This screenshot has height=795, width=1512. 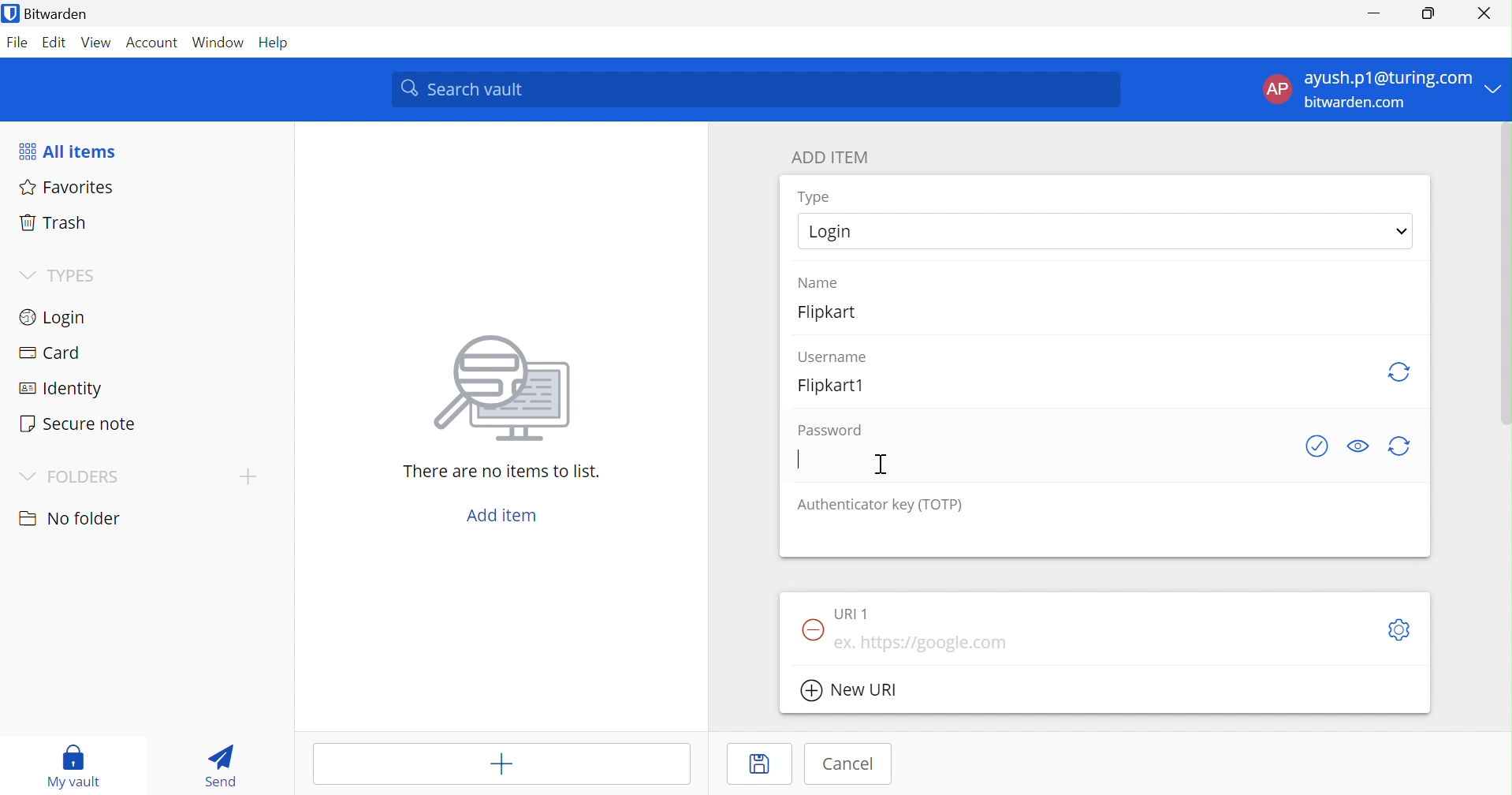 I want to click on AP, so click(x=1276, y=88).